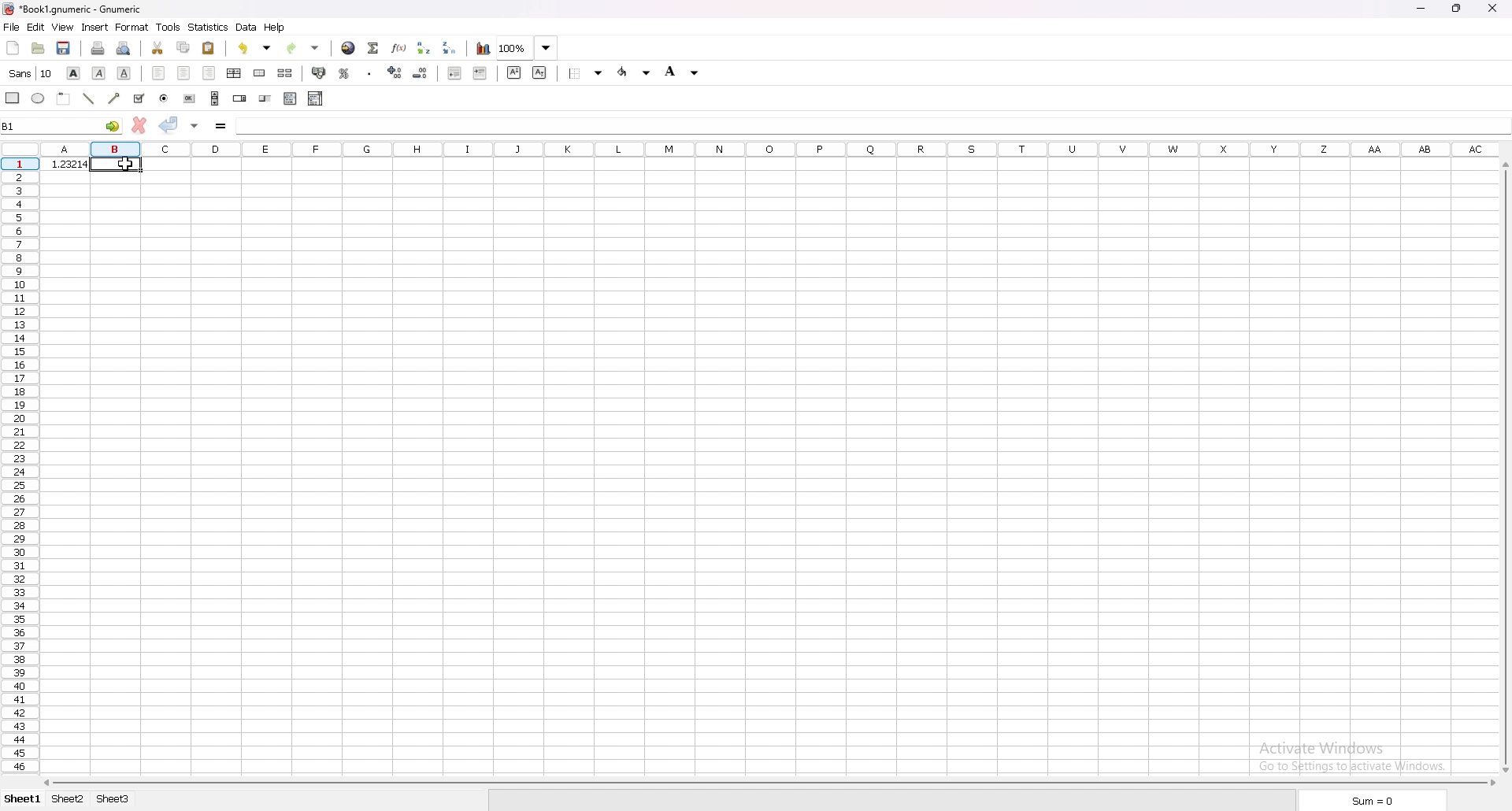 This screenshot has height=811, width=1512. What do you see at coordinates (1371, 799) in the screenshot?
I see `sum` at bounding box center [1371, 799].